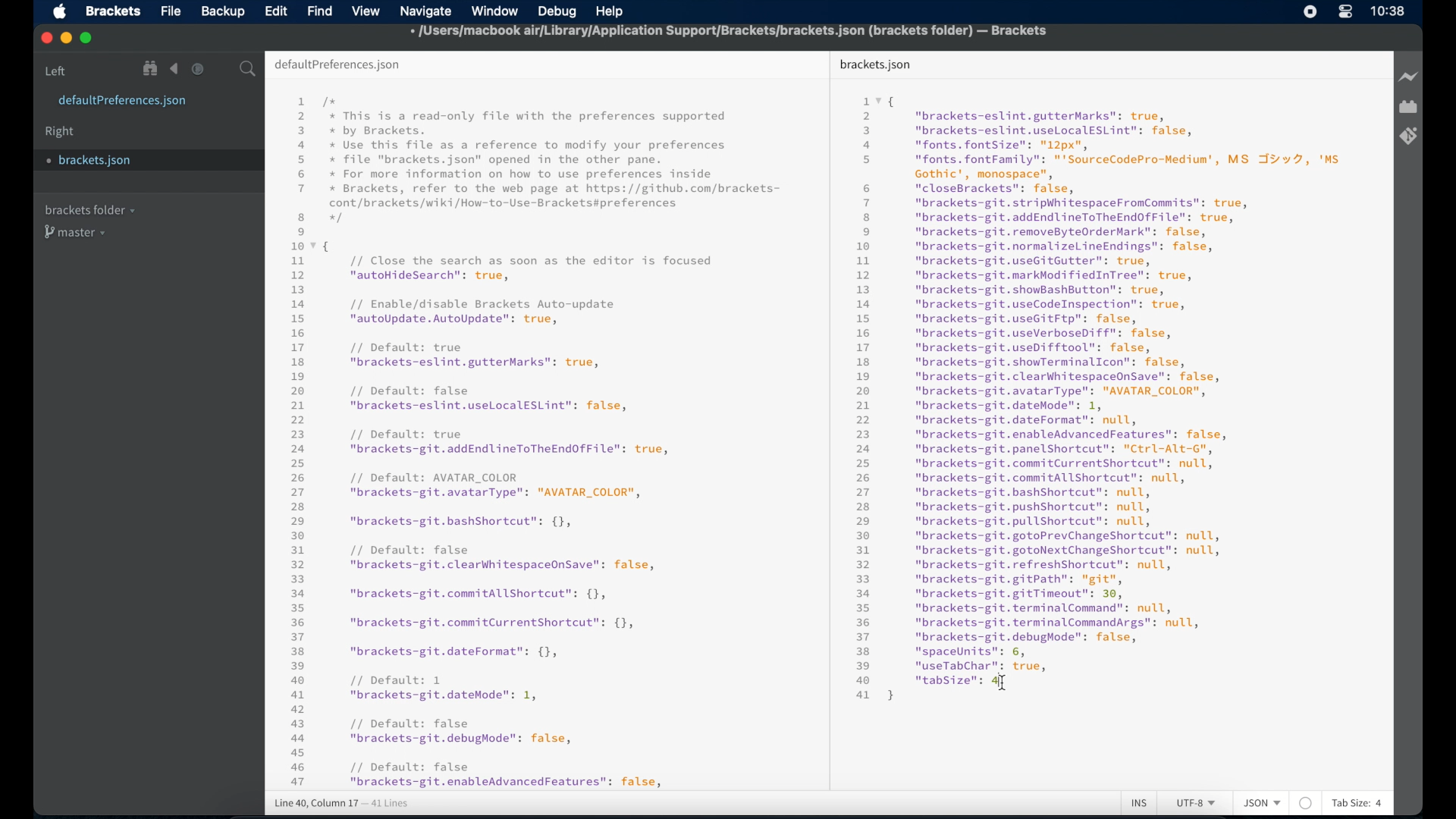 This screenshot has width=1456, height=819. I want to click on I beam cursor, so click(1005, 681).